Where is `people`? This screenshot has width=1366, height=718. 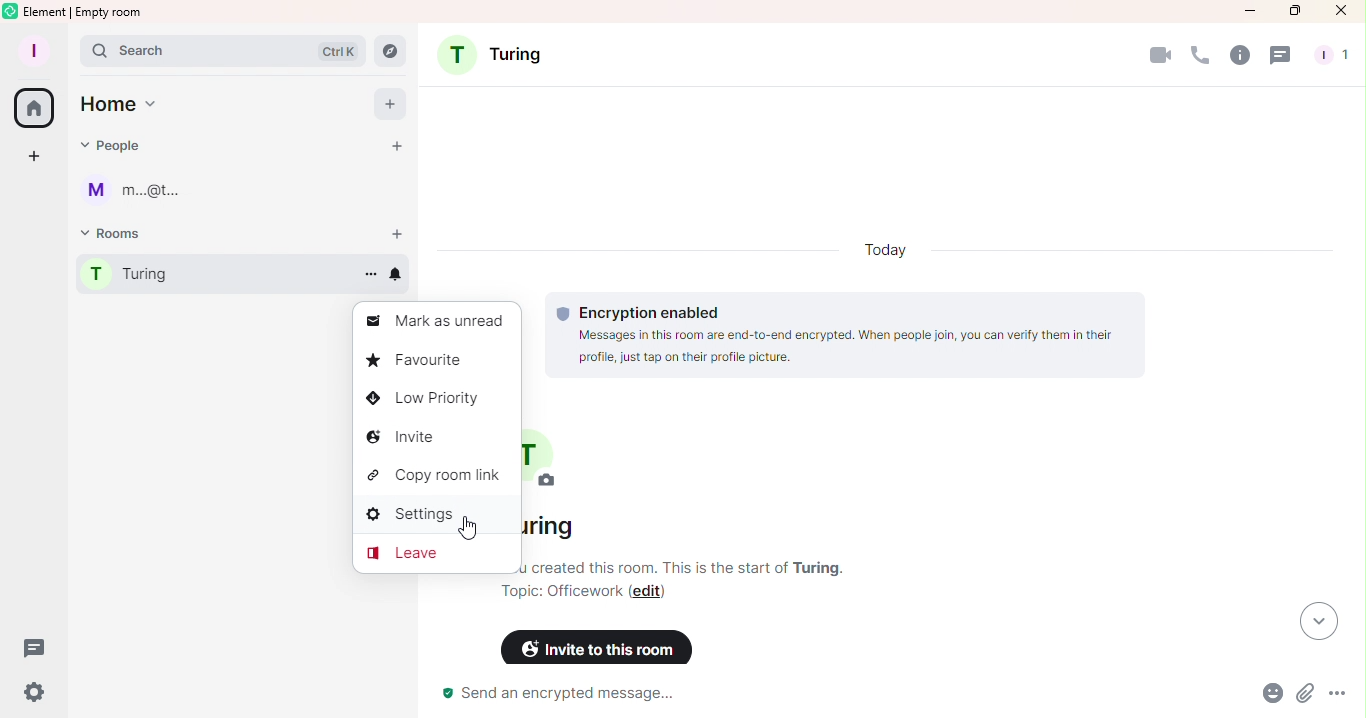
people is located at coordinates (1332, 56).